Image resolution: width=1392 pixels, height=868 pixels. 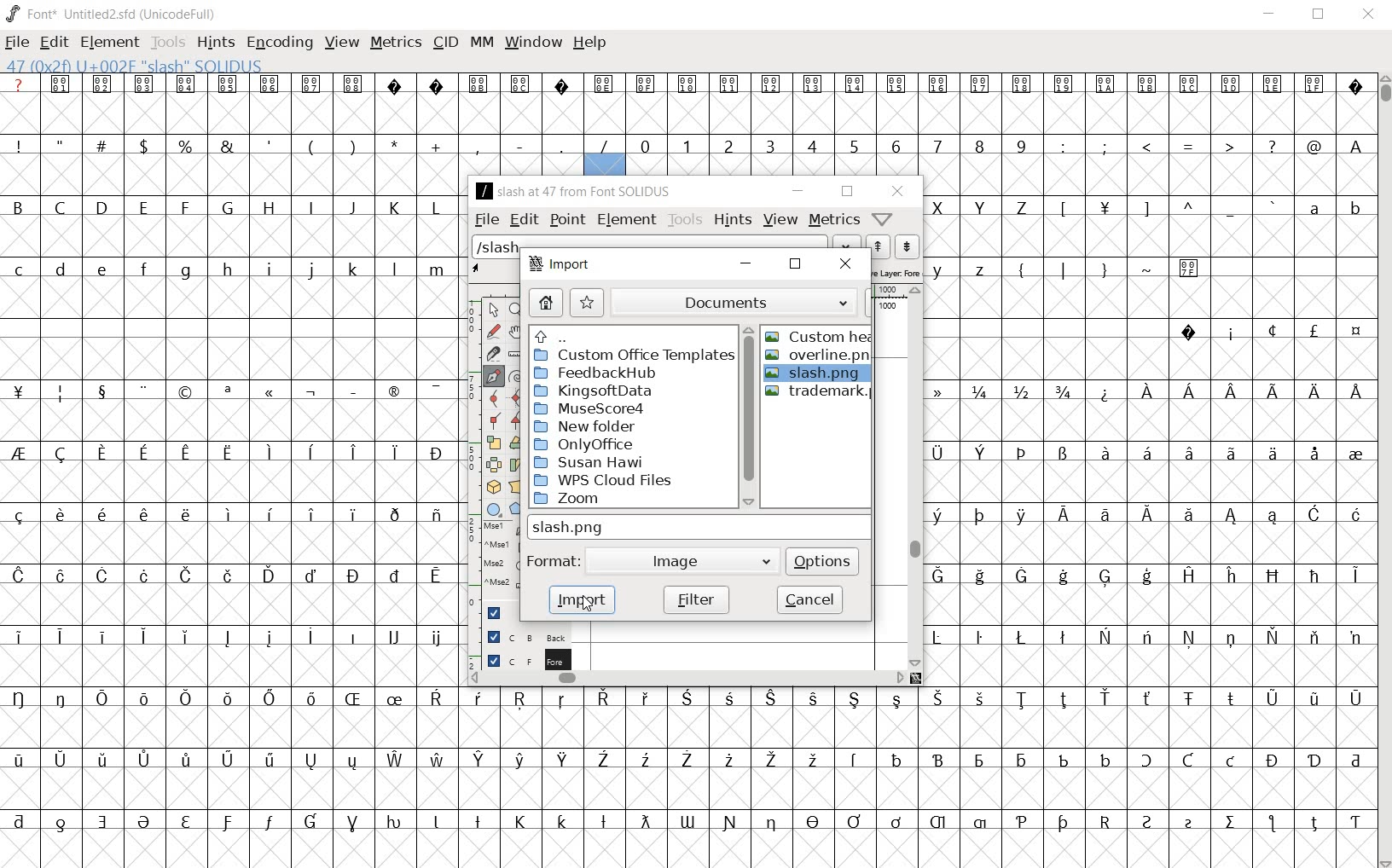 I want to click on import, so click(x=583, y=599).